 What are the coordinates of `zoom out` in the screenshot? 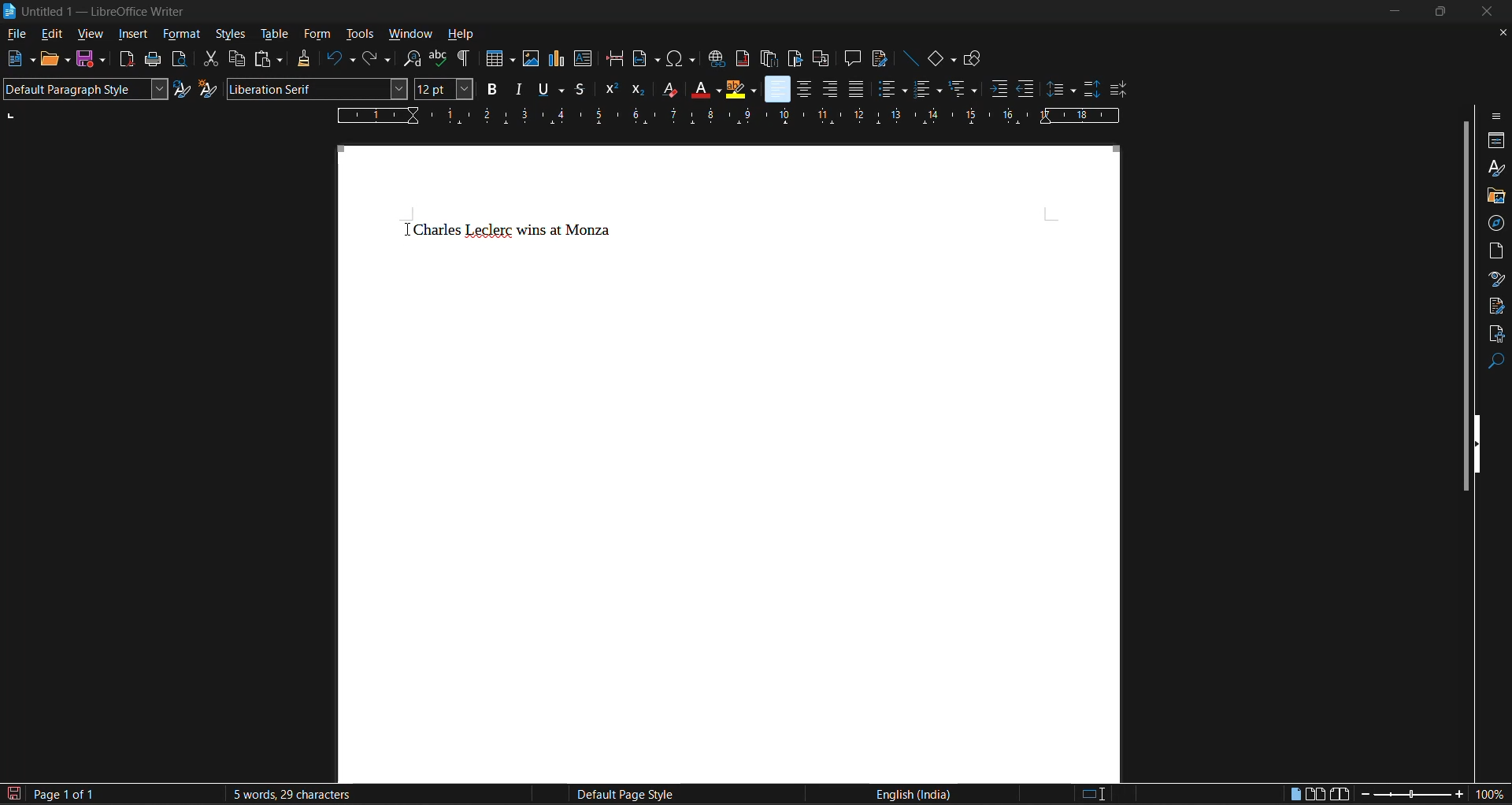 It's located at (1361, 796).